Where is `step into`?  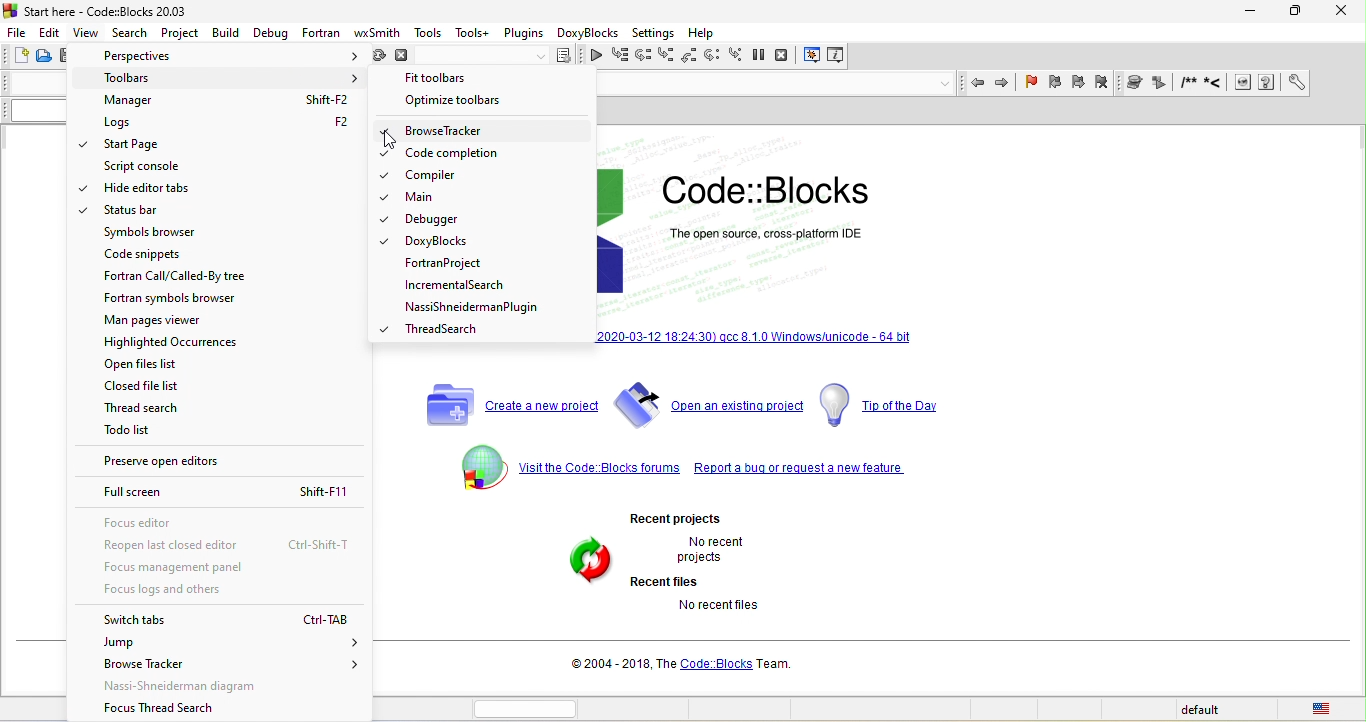
step into is located at coordinates (668, 56).